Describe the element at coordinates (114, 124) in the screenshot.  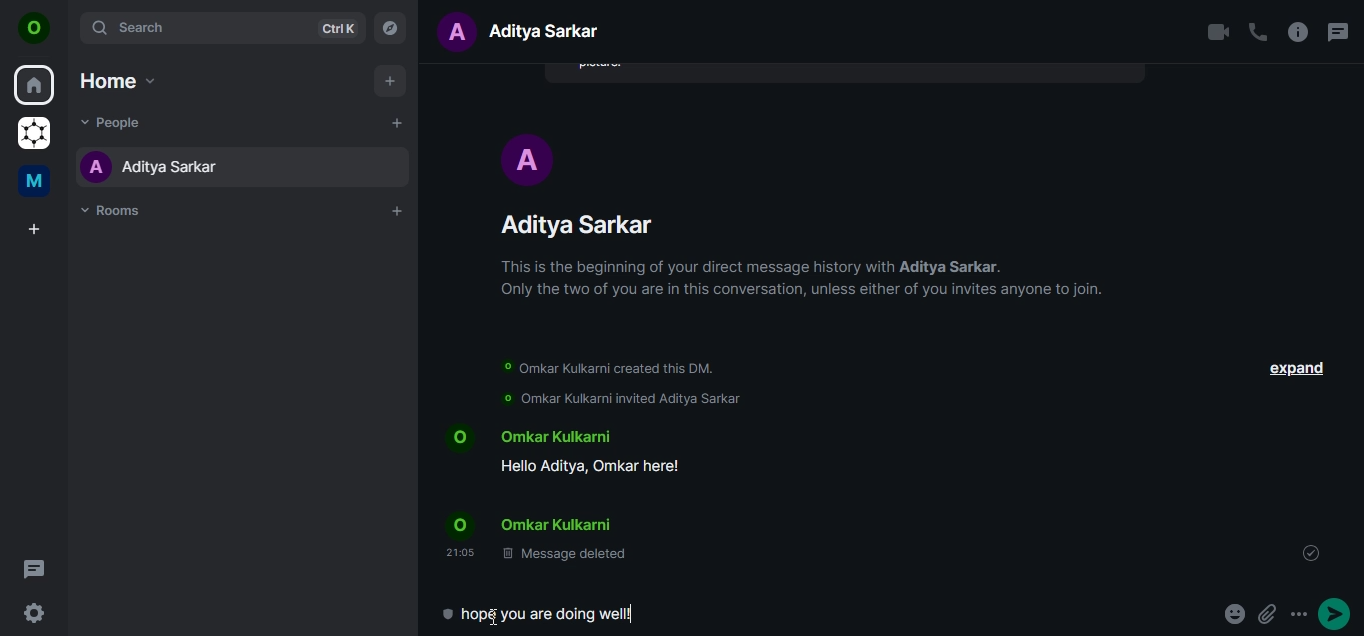
I see `people` at that location.